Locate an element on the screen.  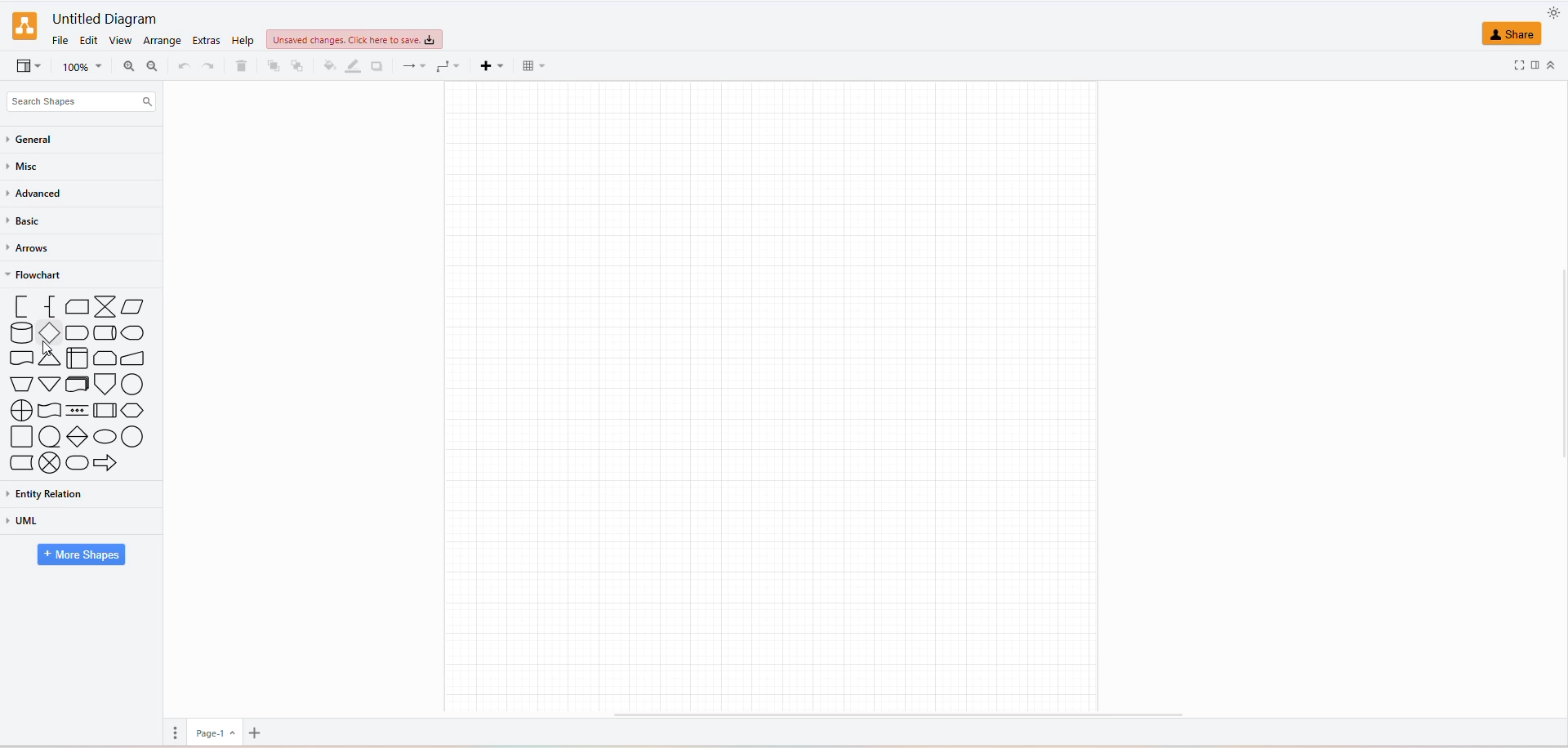
FORMAT is located at coordinates (1533, 65).